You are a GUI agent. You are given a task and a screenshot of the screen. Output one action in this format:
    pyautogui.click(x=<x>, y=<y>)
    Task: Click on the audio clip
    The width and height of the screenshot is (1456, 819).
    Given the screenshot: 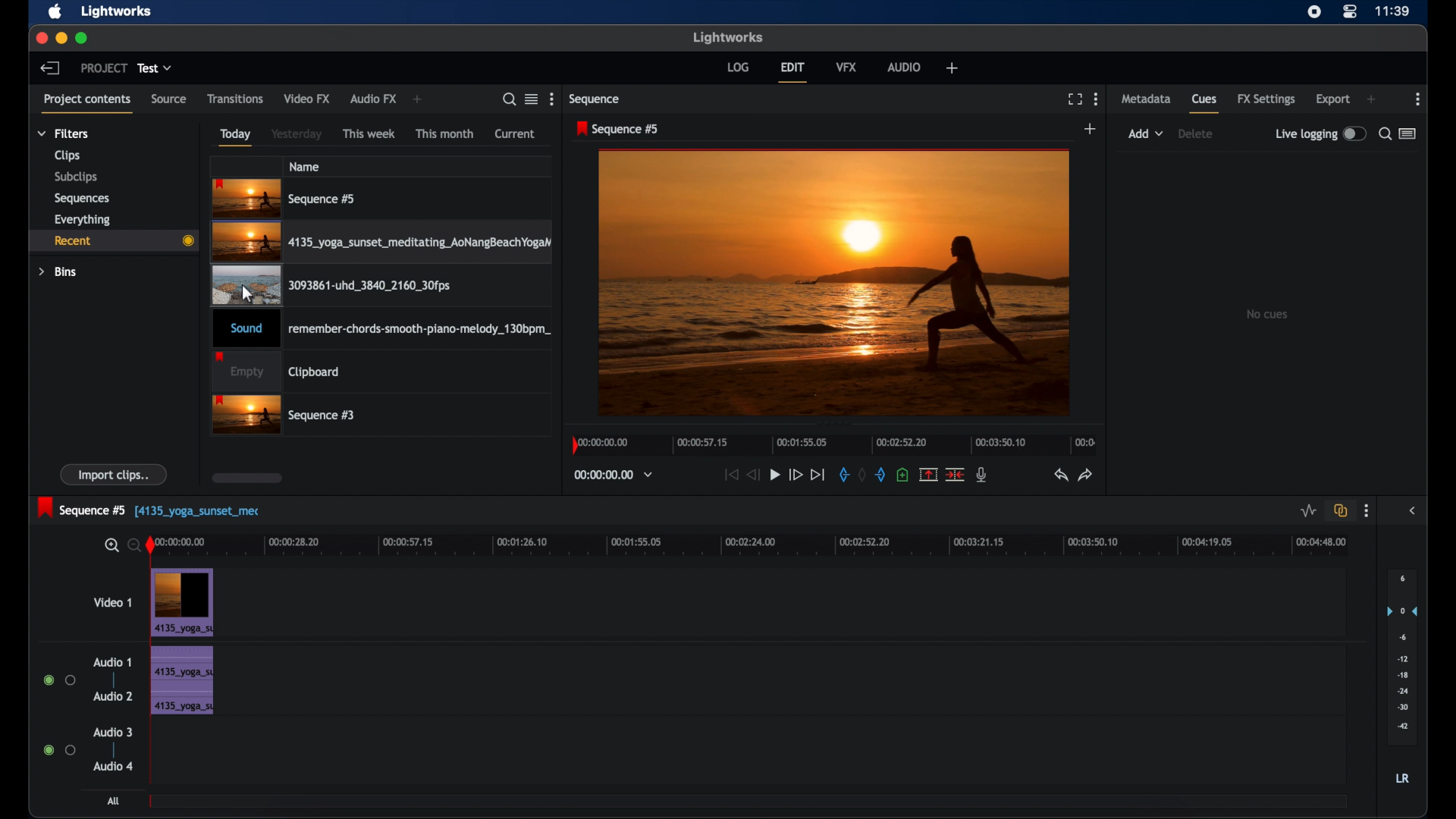 What is the action you would take?
    pyautogui.click(x=183, y=682)
    